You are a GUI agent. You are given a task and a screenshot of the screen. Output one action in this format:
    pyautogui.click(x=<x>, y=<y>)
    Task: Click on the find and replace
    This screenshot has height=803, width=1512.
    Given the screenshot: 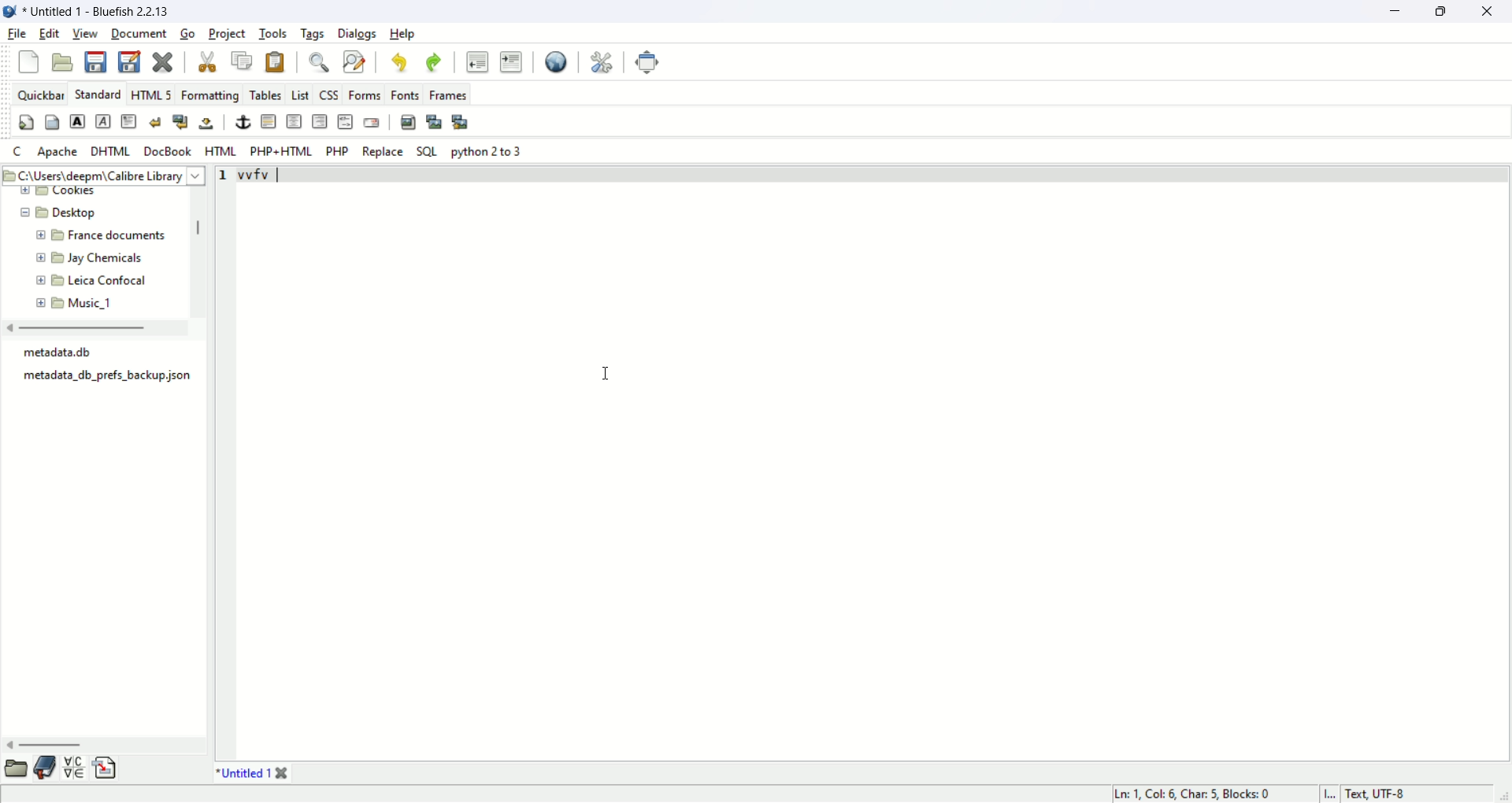 What is the action you would take?
    pyautogui.click(x=358, y=61)
    